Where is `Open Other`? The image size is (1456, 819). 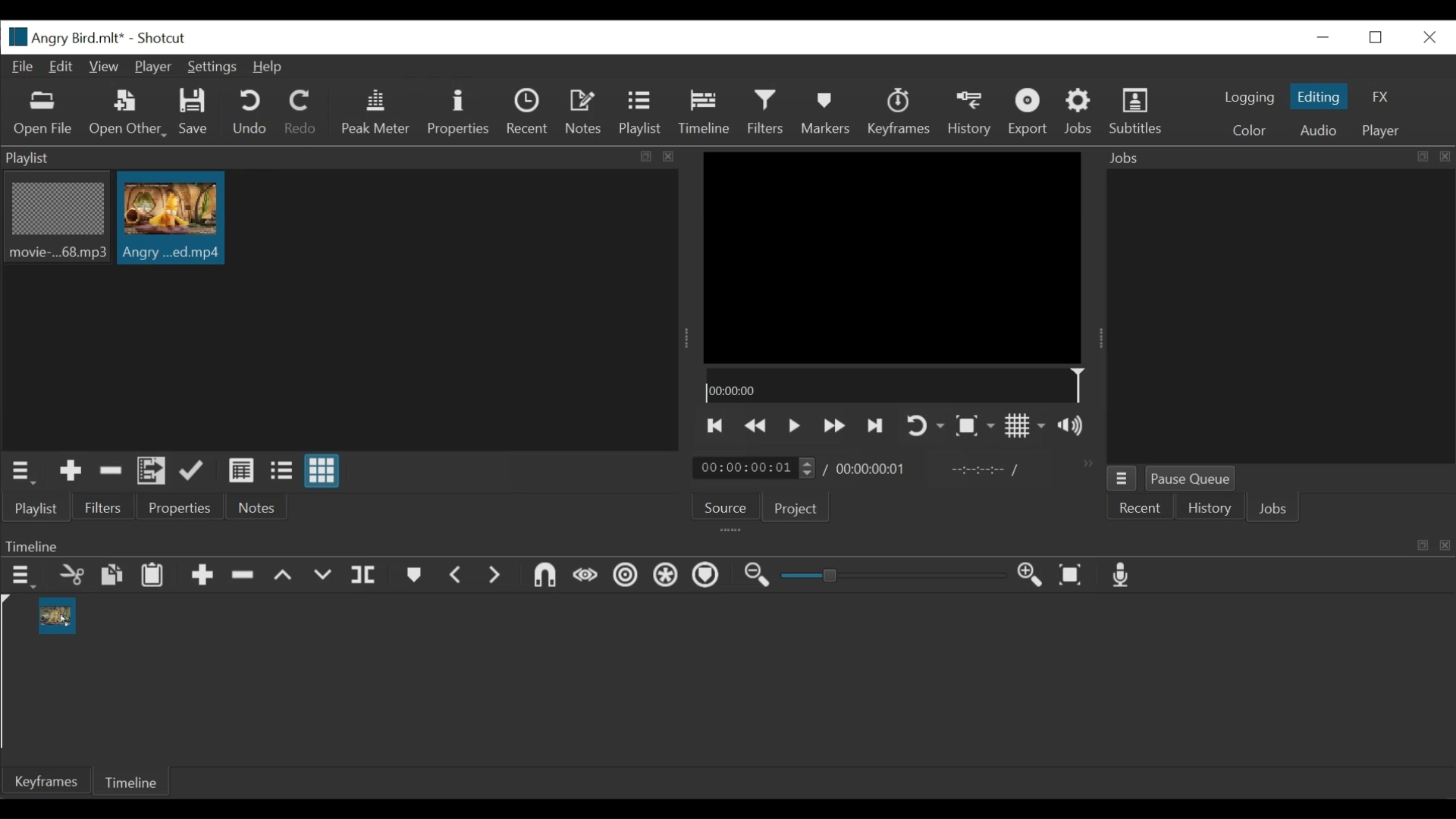 Open Other is located at coordinates (127, 114).